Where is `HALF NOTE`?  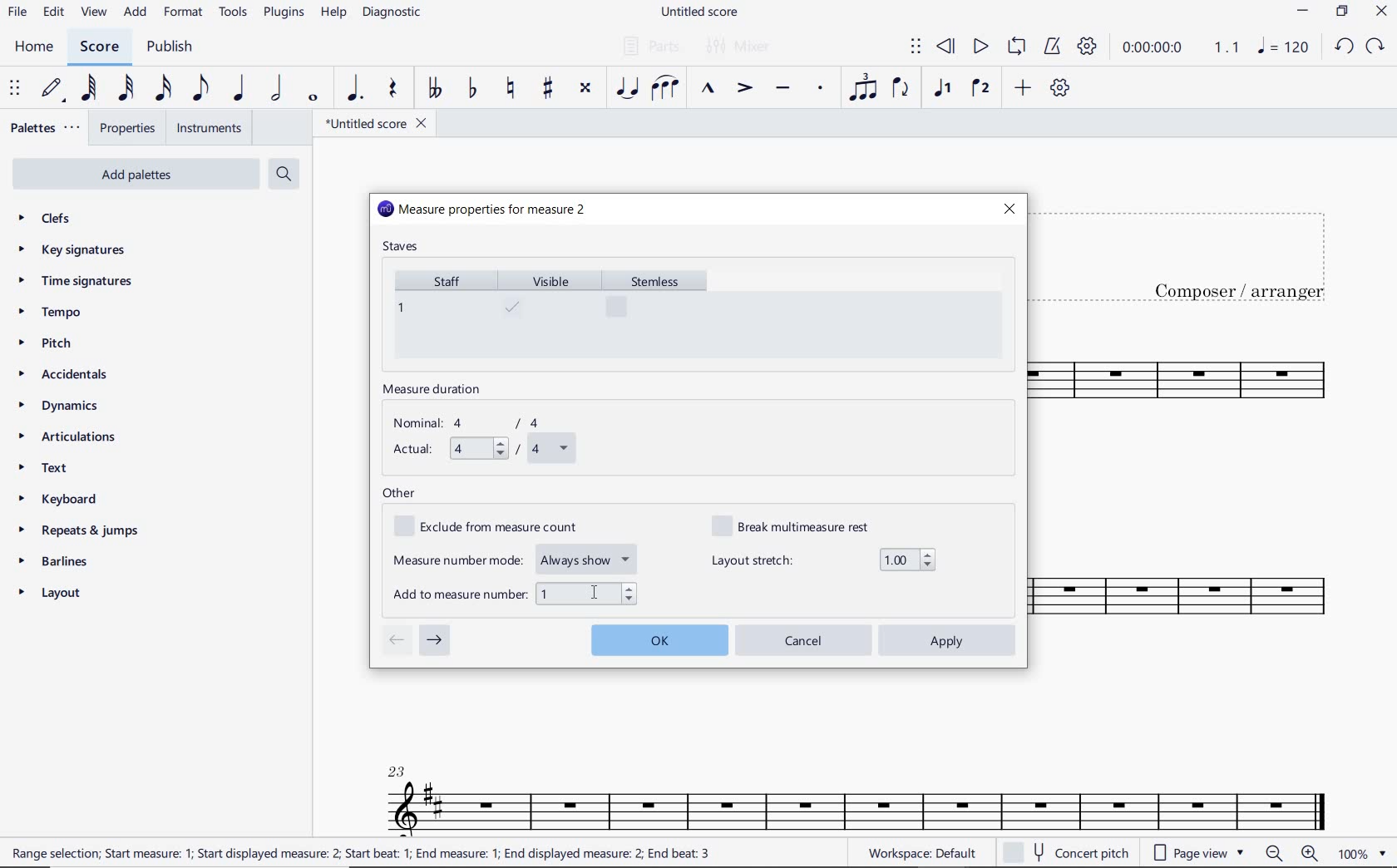 HALF NOTE is located at coordinates (278, 89).